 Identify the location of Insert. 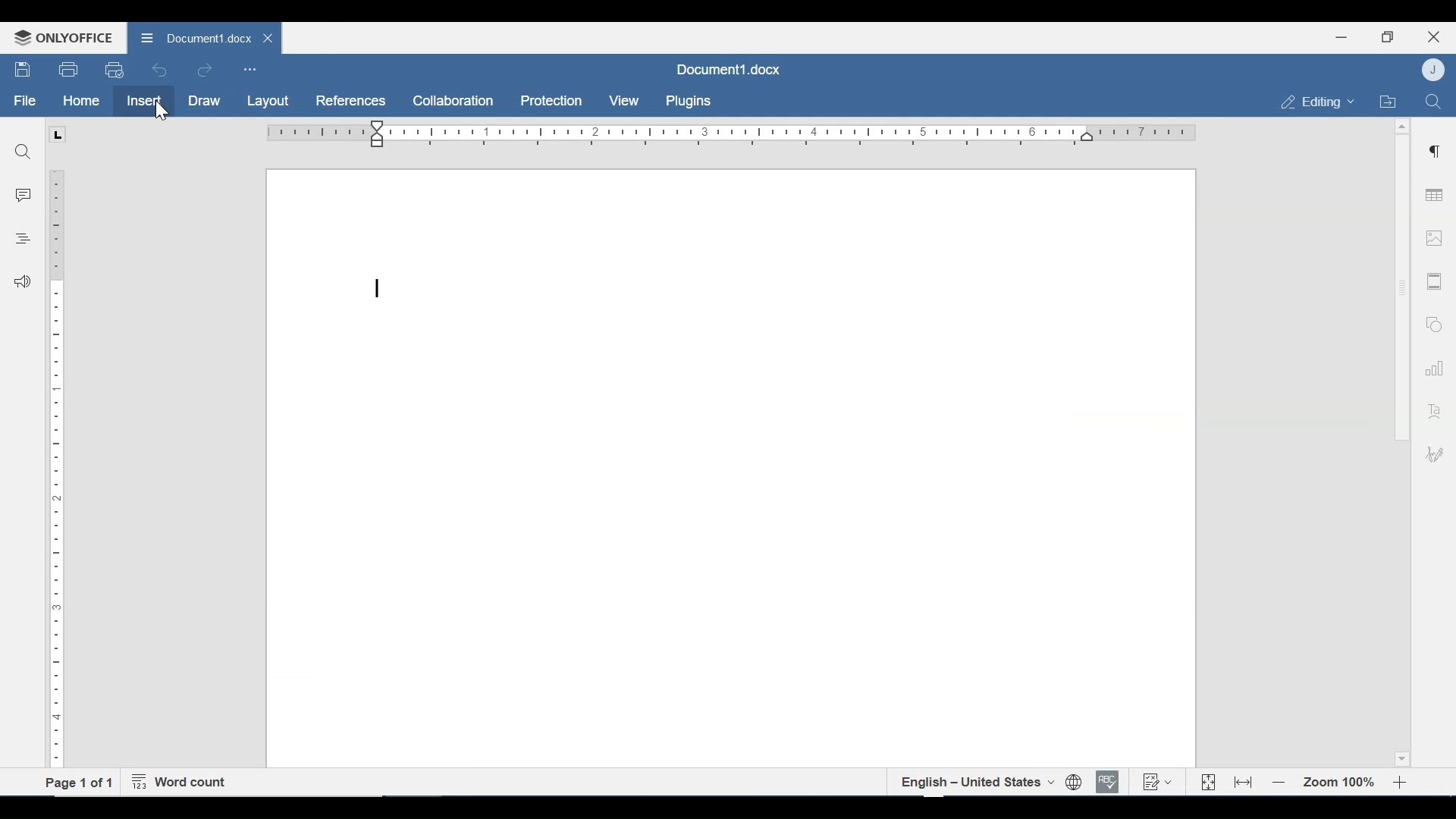
(143, 101).